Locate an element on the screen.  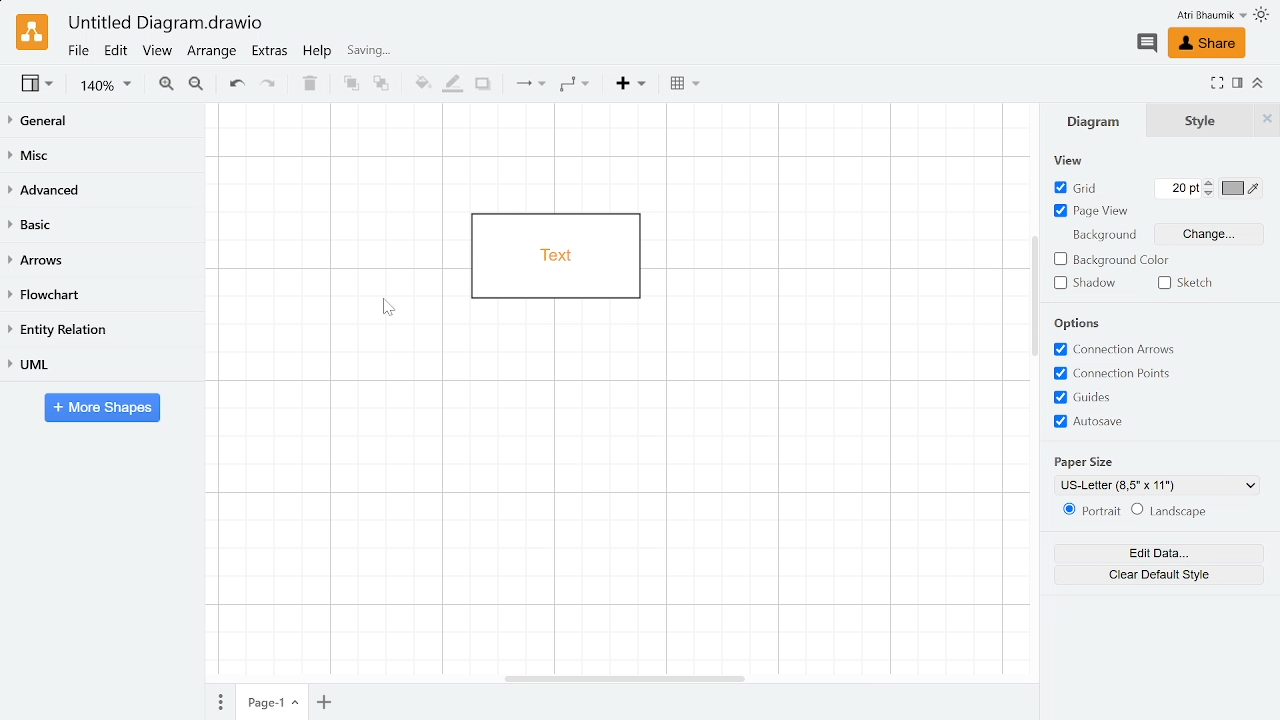
Theme is located at coordinates (1264, 15).